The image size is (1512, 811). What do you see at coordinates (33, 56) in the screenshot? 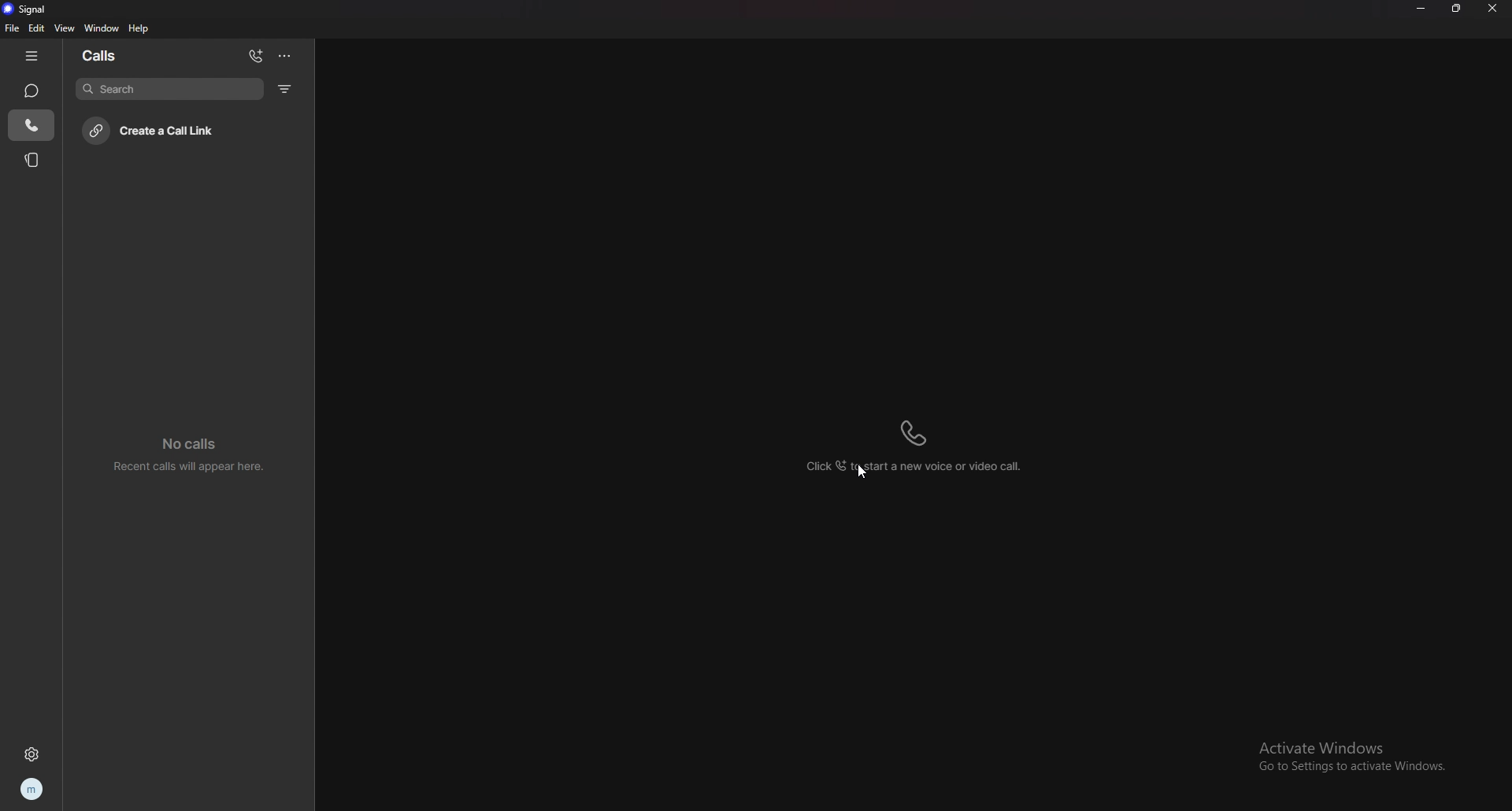
I see `hide tab` at bounding box center [33, 56].